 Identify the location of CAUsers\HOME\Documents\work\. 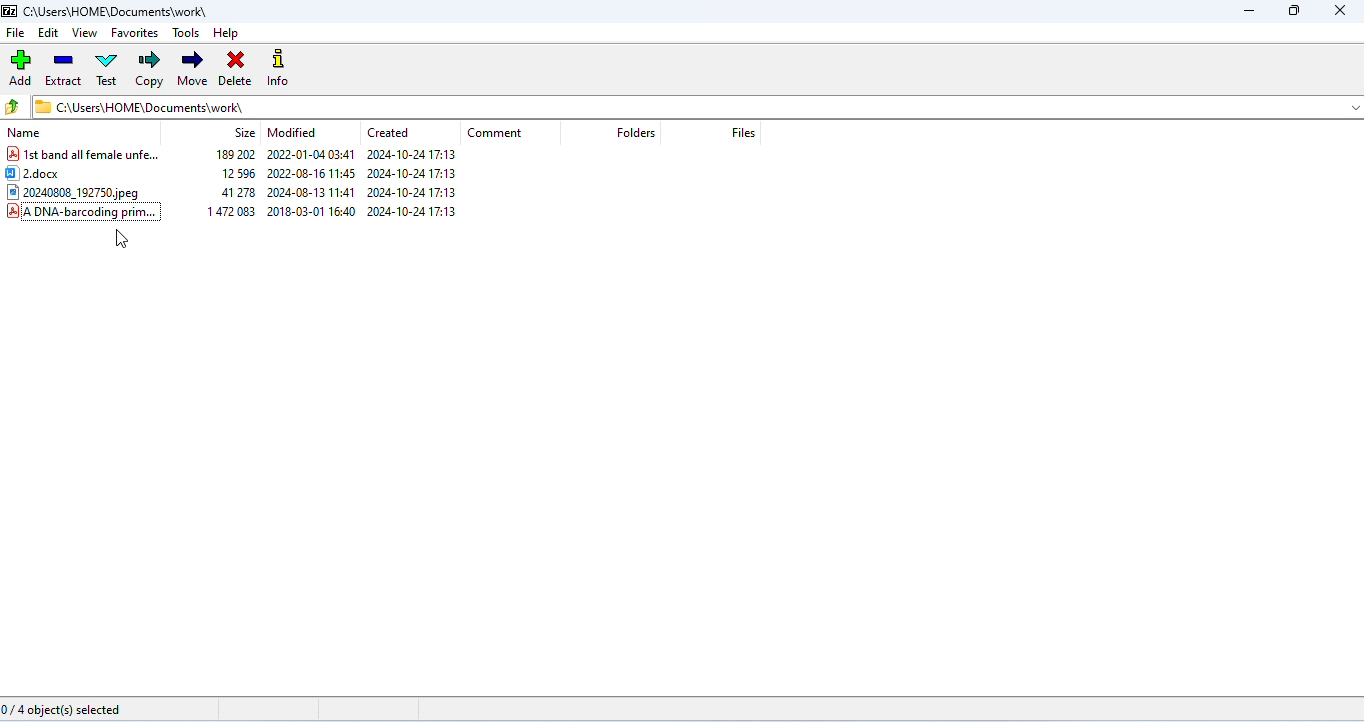
(140, 106).